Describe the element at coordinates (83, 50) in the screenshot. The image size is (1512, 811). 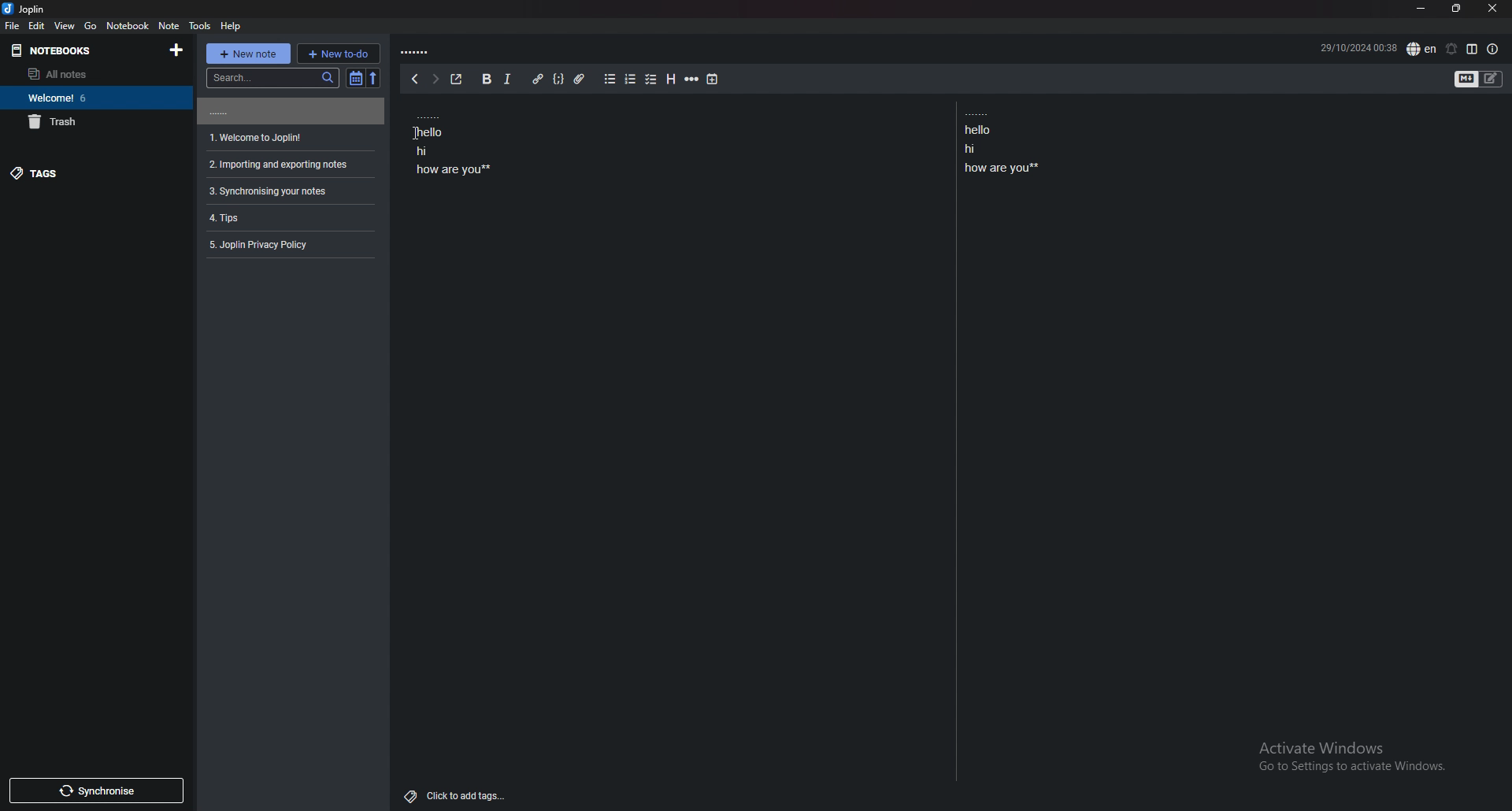
I see `notebooks` at that location.